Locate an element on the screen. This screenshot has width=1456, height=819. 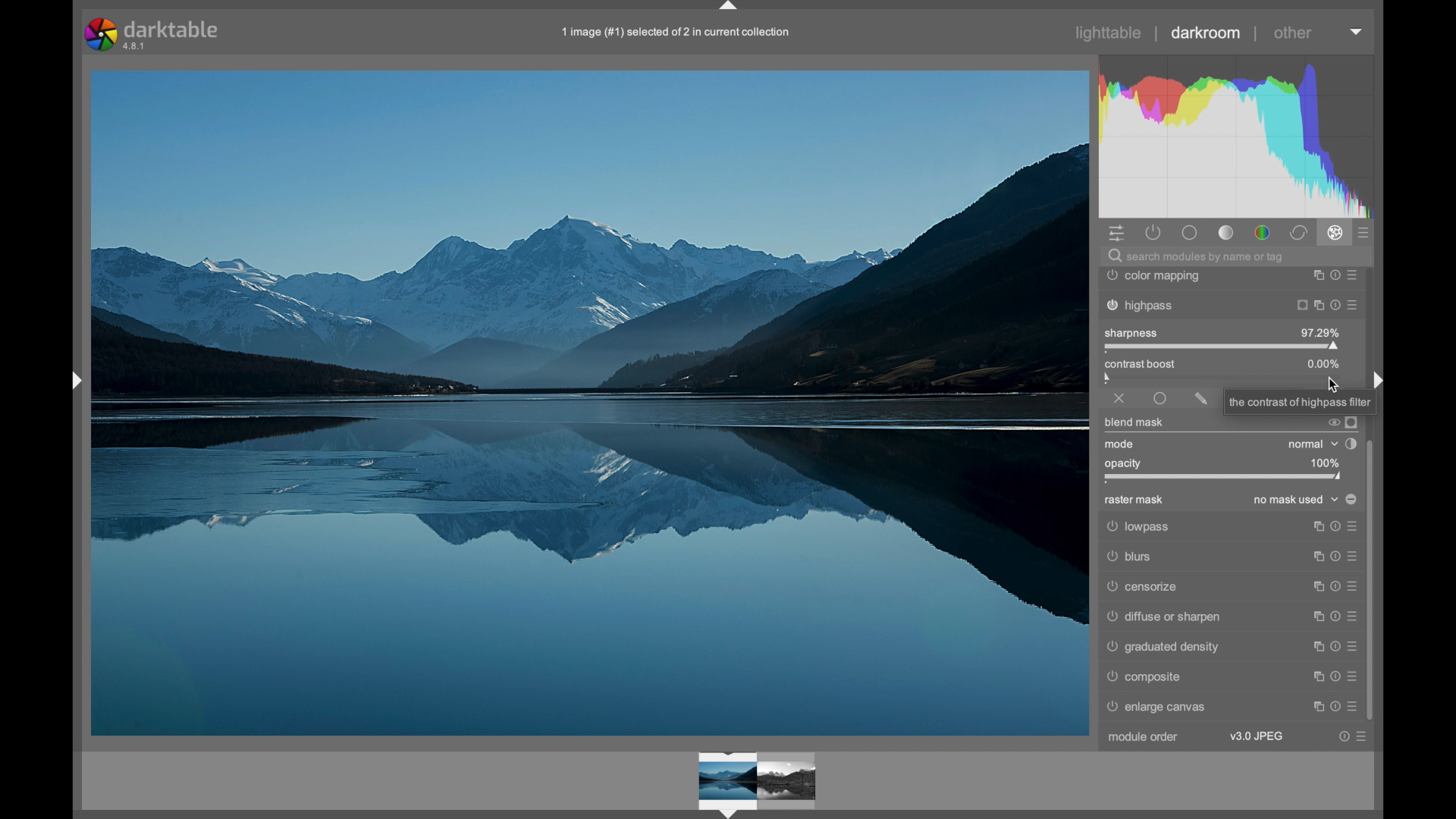
 is located at coordinates (1228, 558).